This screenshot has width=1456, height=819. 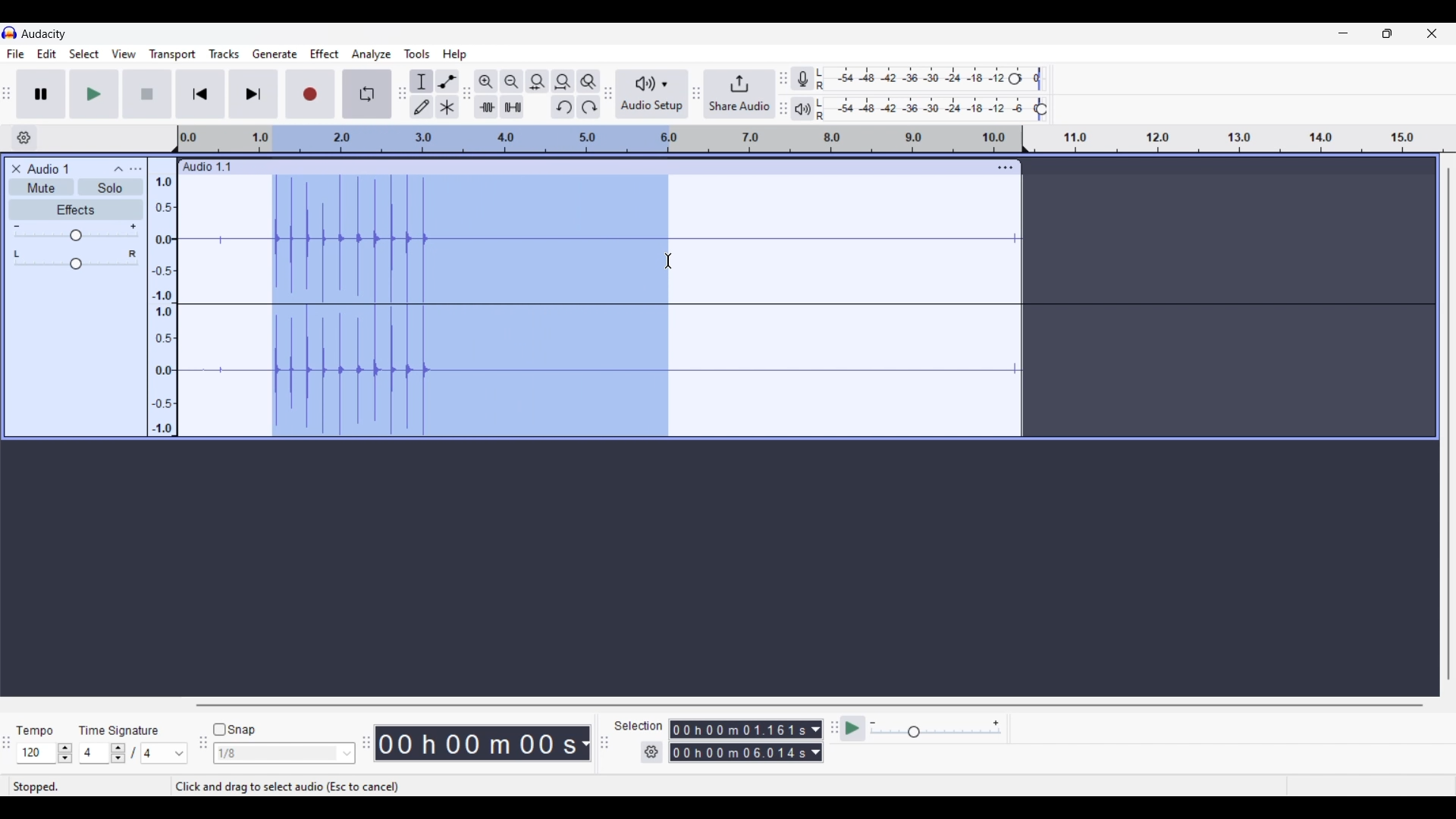 What do you see at coordinates (873, 723) in the screenshot?
I see `Minimum playback speed` at bounding box center [873, 723].